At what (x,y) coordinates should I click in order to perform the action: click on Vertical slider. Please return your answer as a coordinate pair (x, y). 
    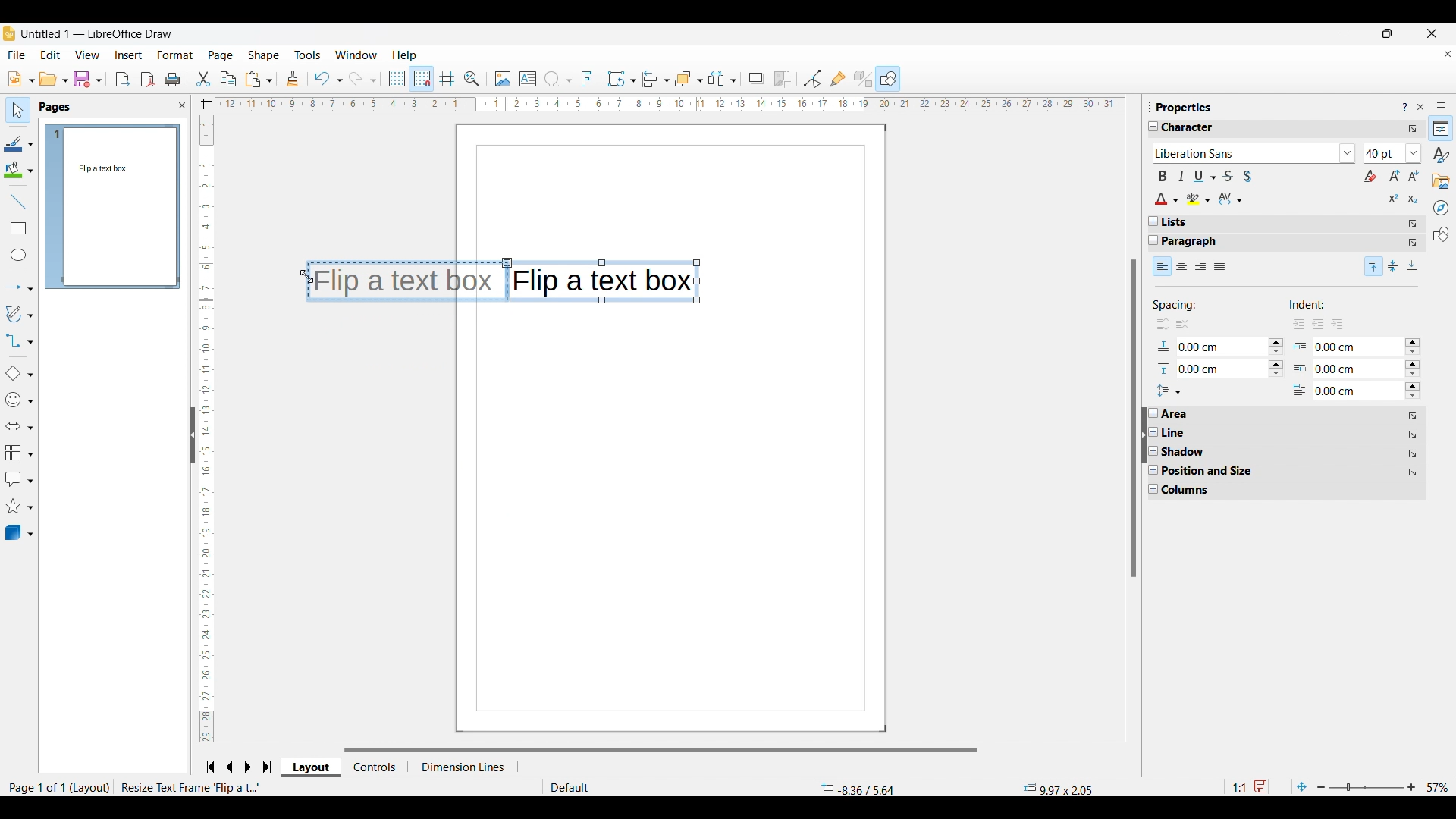
    Looking at the image, I should click on (1134, 418).